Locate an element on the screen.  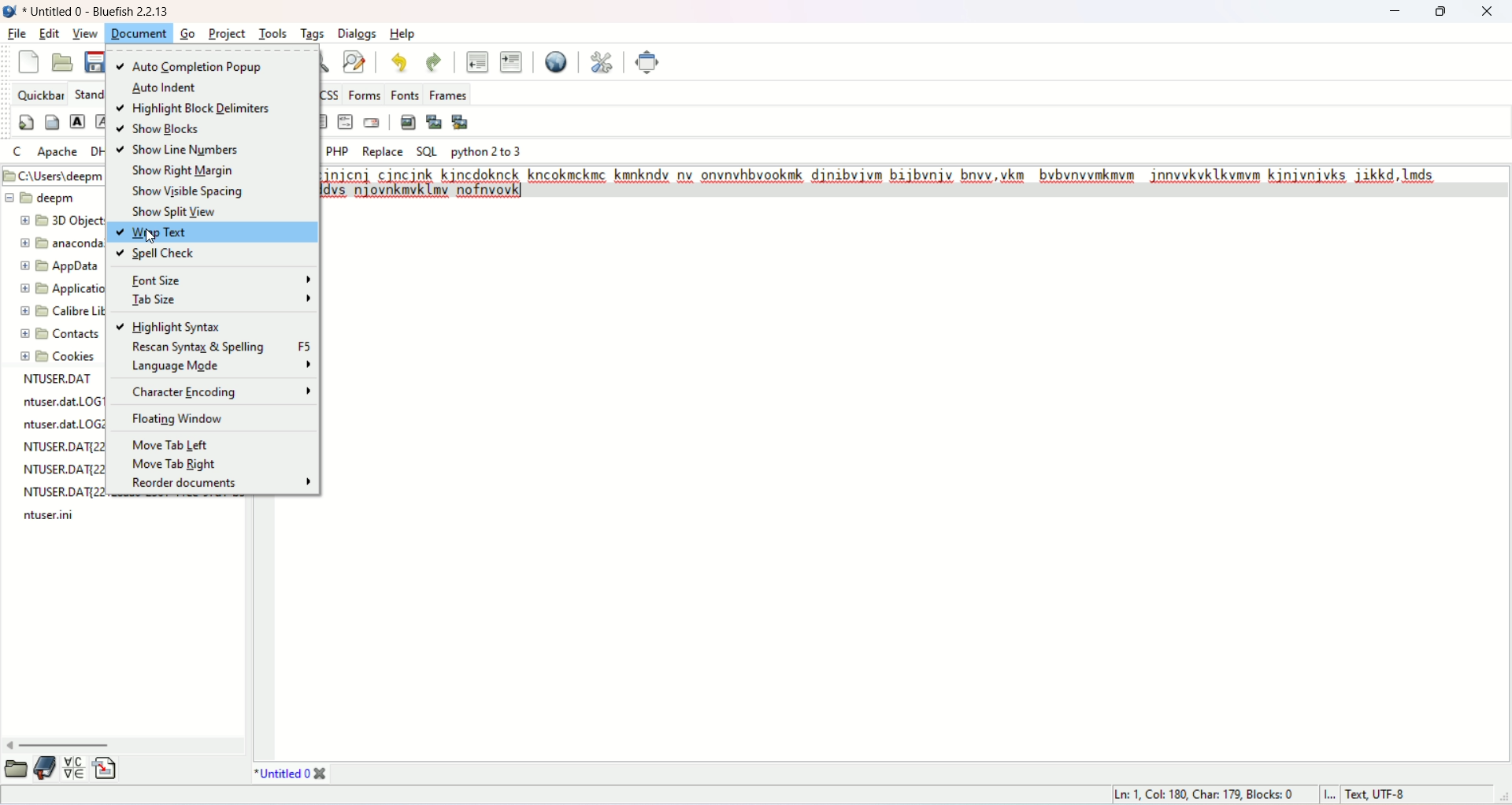
tab size is located at coordinates (221, 299).